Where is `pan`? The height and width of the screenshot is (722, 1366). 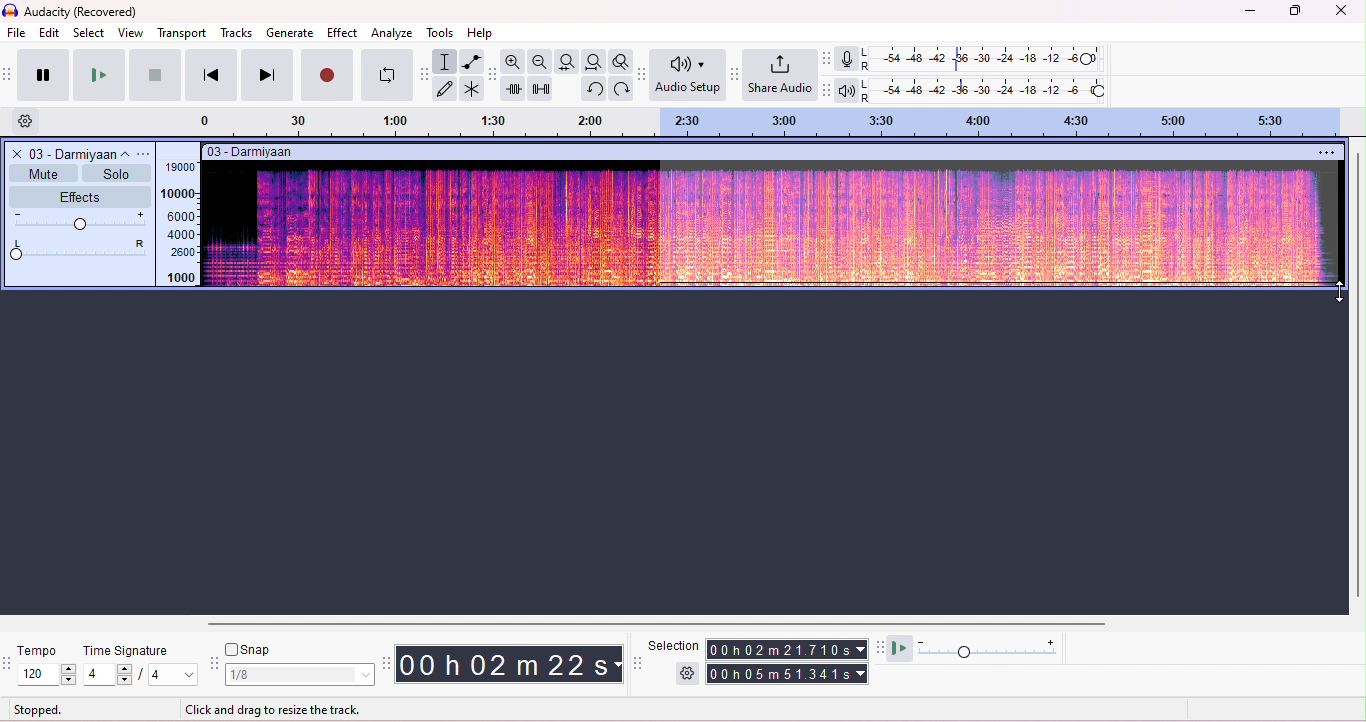 pan is located at coordinates (81, 249).